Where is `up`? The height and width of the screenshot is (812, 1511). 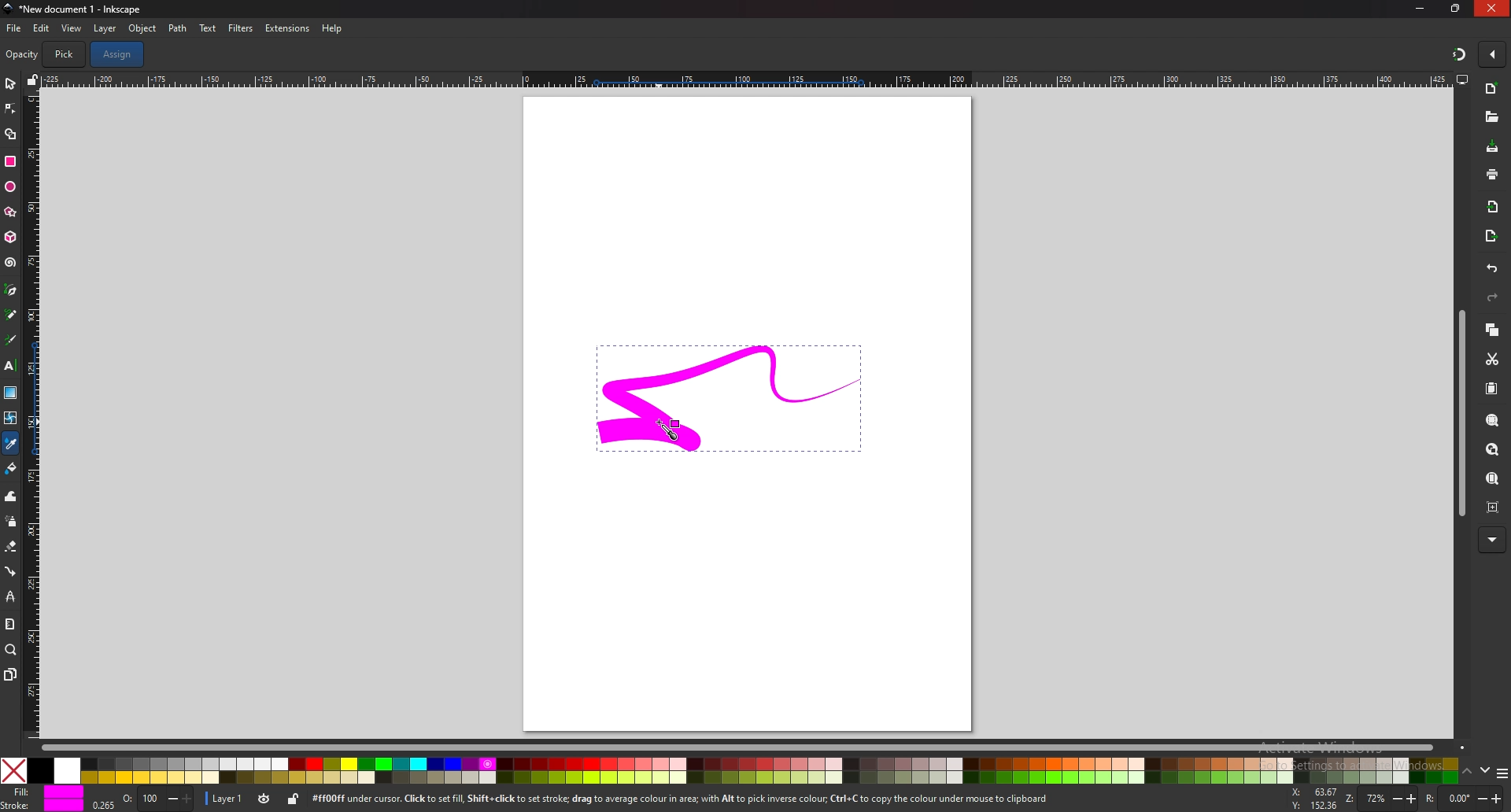
up is located at coordinates (1468, 771).